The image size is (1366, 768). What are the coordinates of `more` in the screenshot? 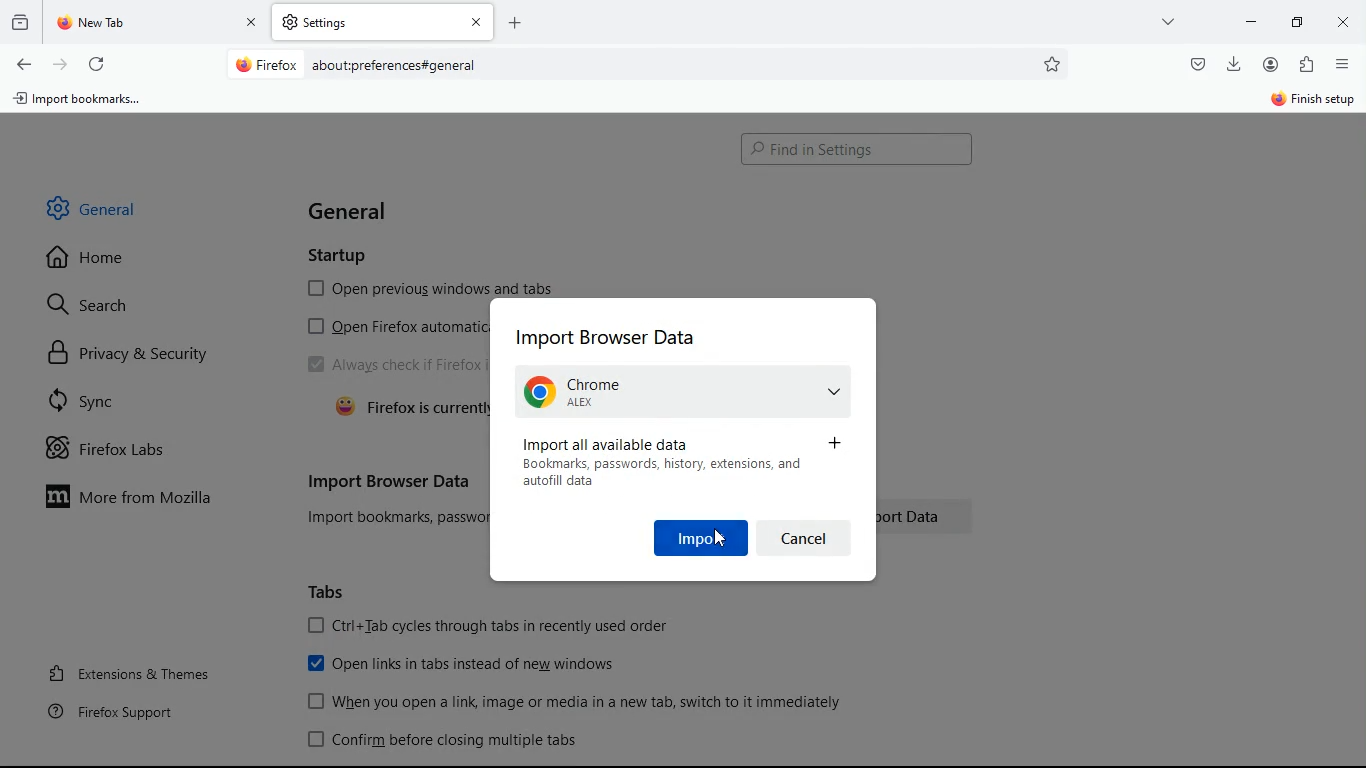 It's located at (1169, 21).